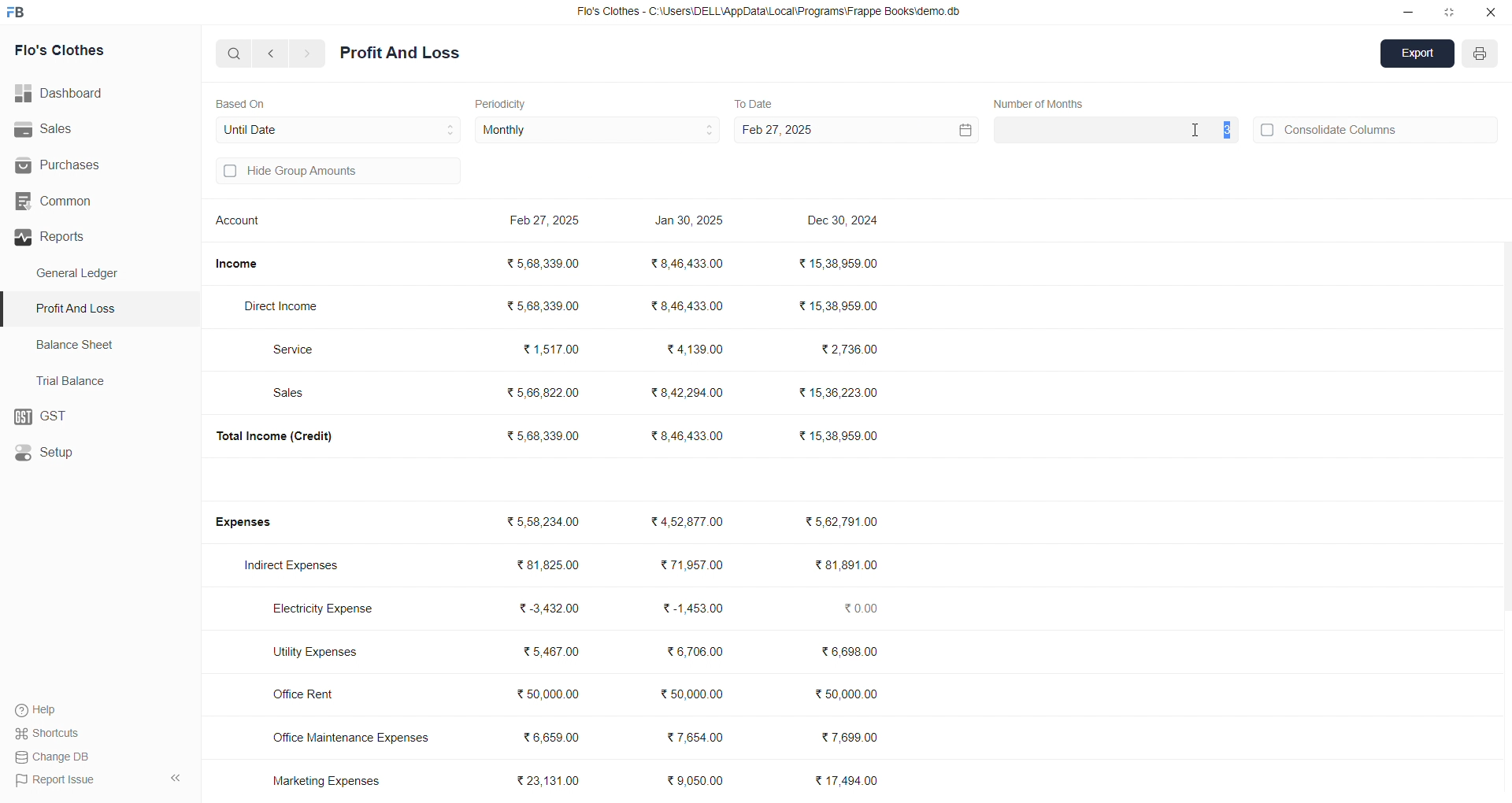 This screenshot has height=803, width=1512. I want to click on ₹15,38,959.00, so click(843, 306).